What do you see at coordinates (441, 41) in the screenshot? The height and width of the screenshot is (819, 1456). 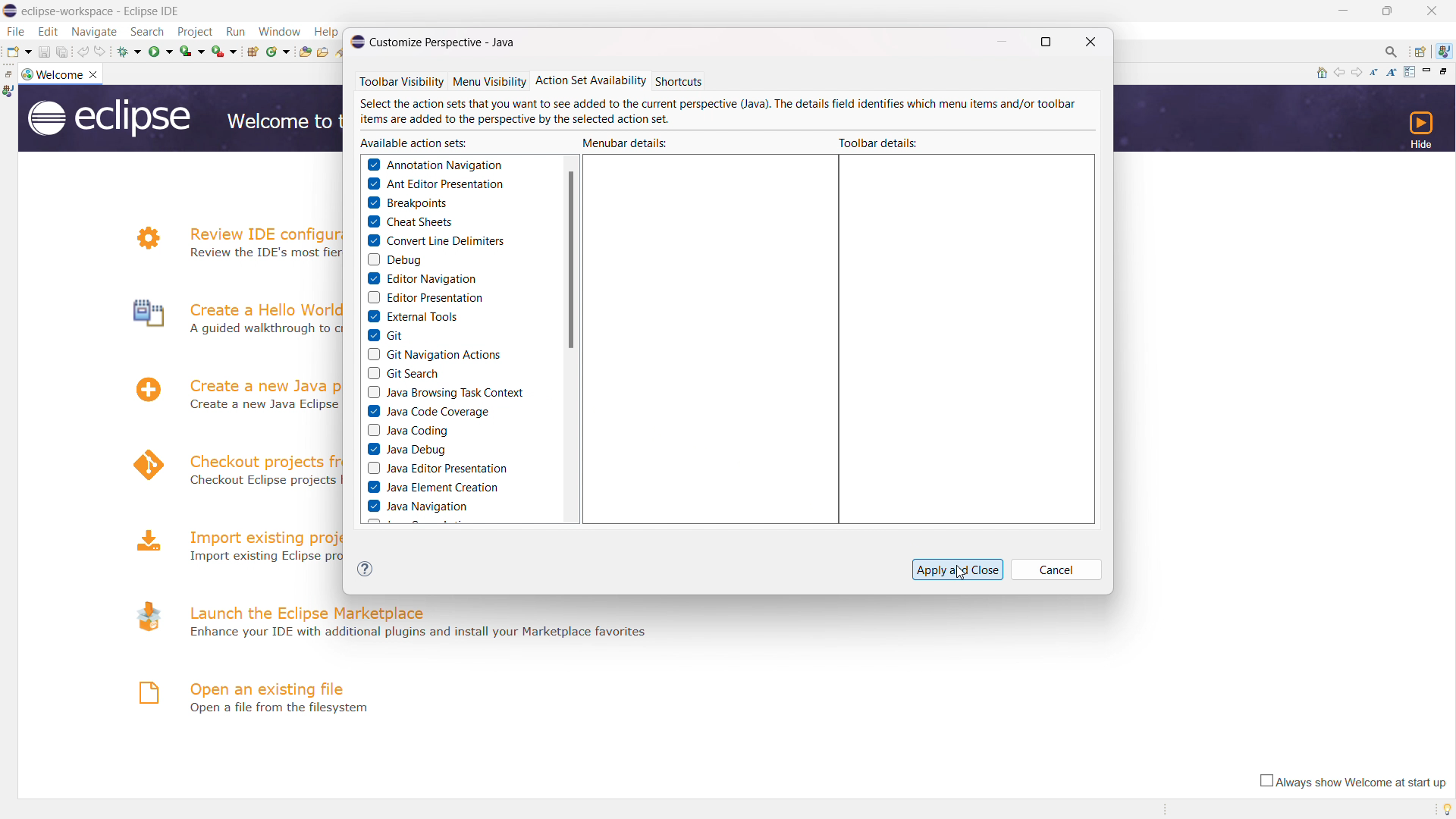 I see `© Customize Perspective - Java` at bounding box center [441, 41].